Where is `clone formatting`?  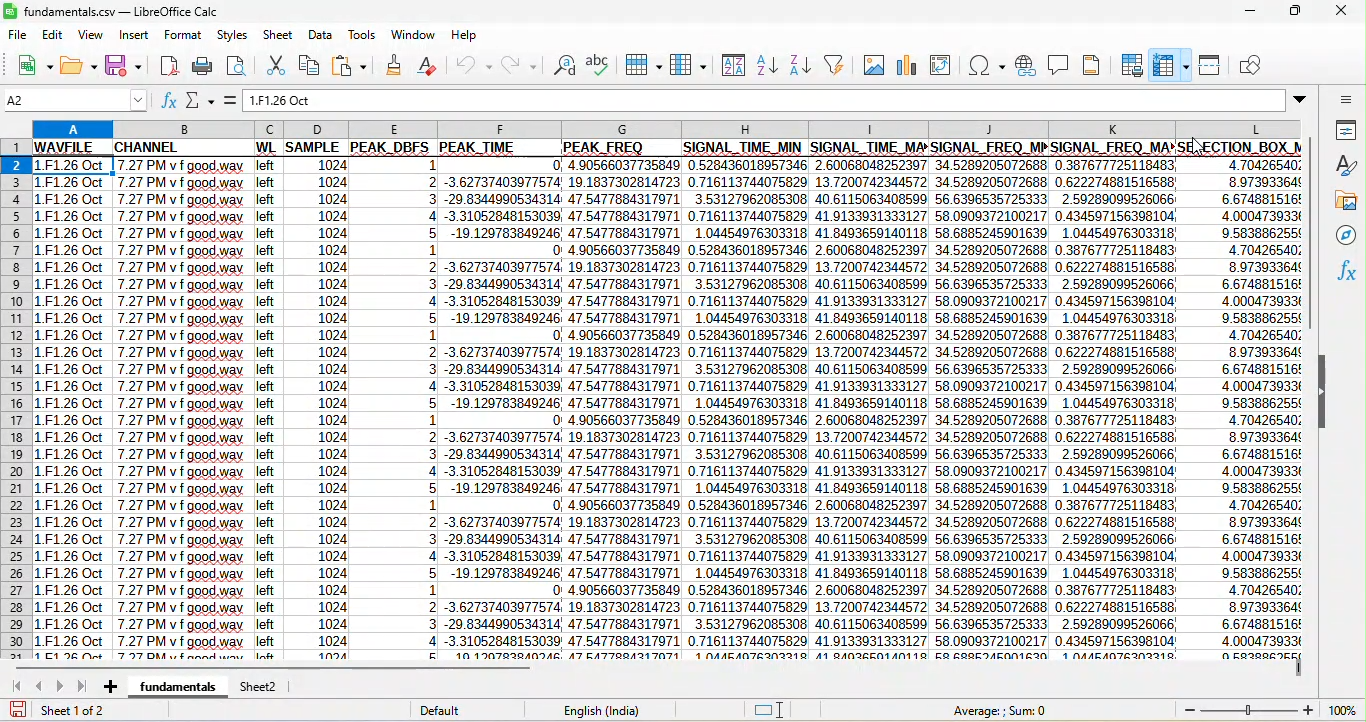 clone formatting is located at coordinates (394, 65).